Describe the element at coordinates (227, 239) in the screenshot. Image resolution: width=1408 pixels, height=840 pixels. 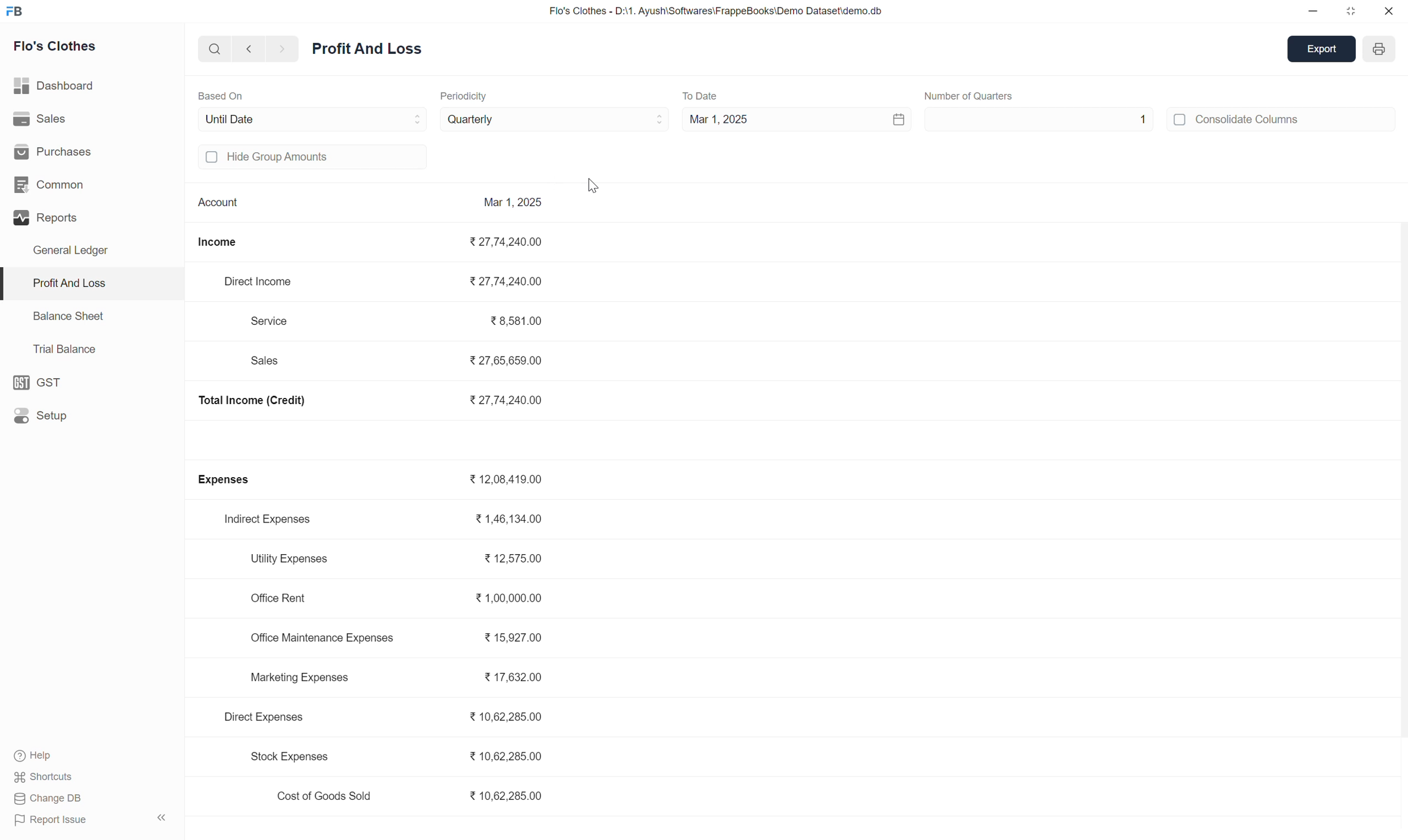
I see `Income` at that location.